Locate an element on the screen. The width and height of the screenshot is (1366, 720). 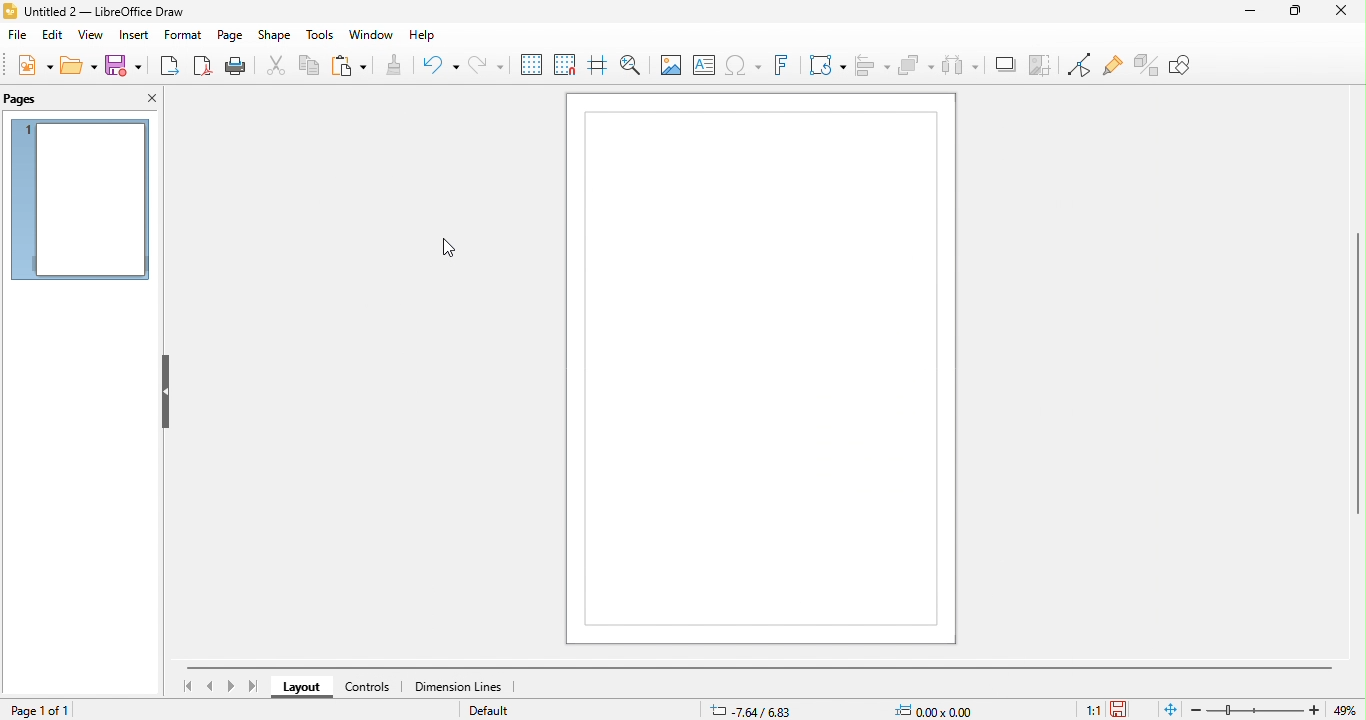
paste is located at coordinates (348, 67).